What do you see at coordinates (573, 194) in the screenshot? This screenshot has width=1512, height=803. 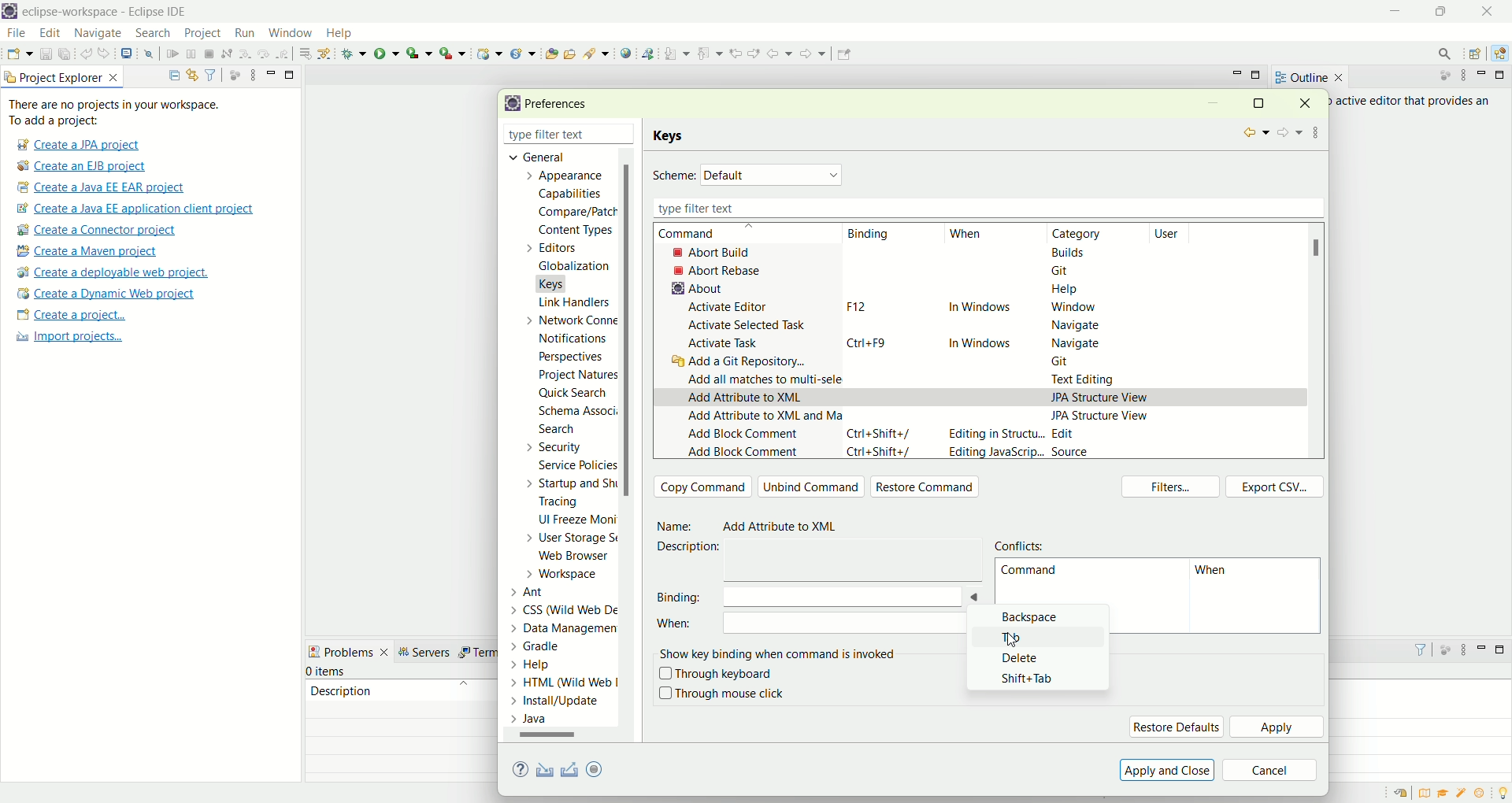 I see `capabilities` at bounding box center [573, 194].